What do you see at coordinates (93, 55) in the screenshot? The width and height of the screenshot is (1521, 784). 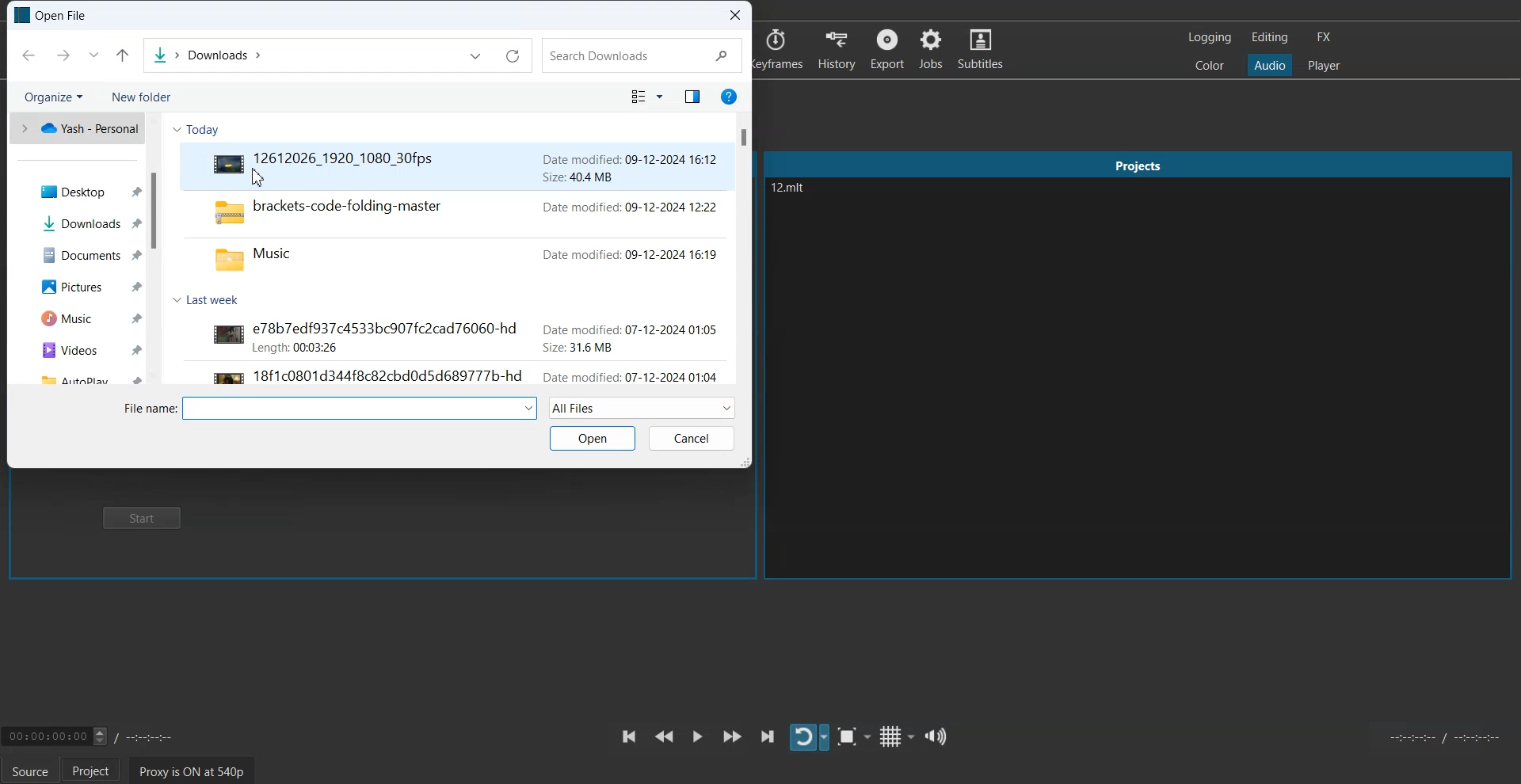 I see `Recent file` at bounding box center [93, 55].